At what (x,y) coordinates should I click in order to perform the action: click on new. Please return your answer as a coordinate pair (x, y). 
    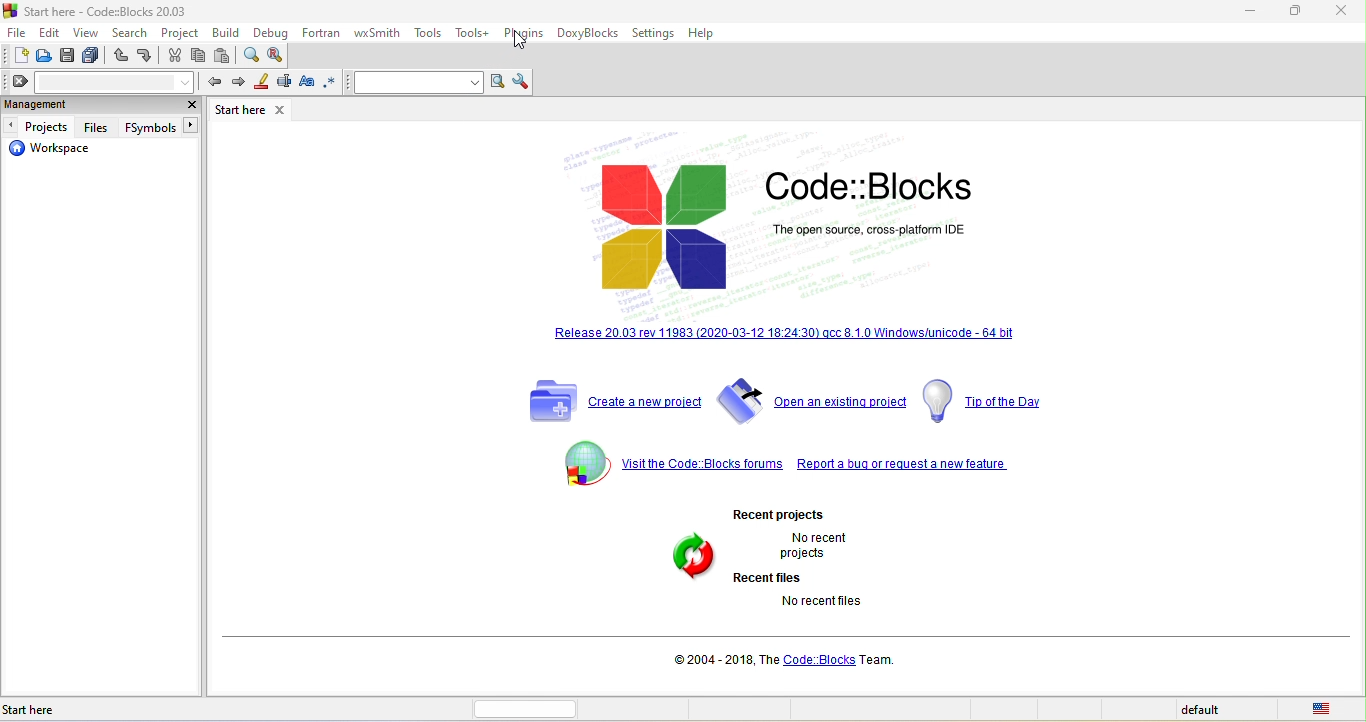
    Looking at the image, I should click on (16, 55).